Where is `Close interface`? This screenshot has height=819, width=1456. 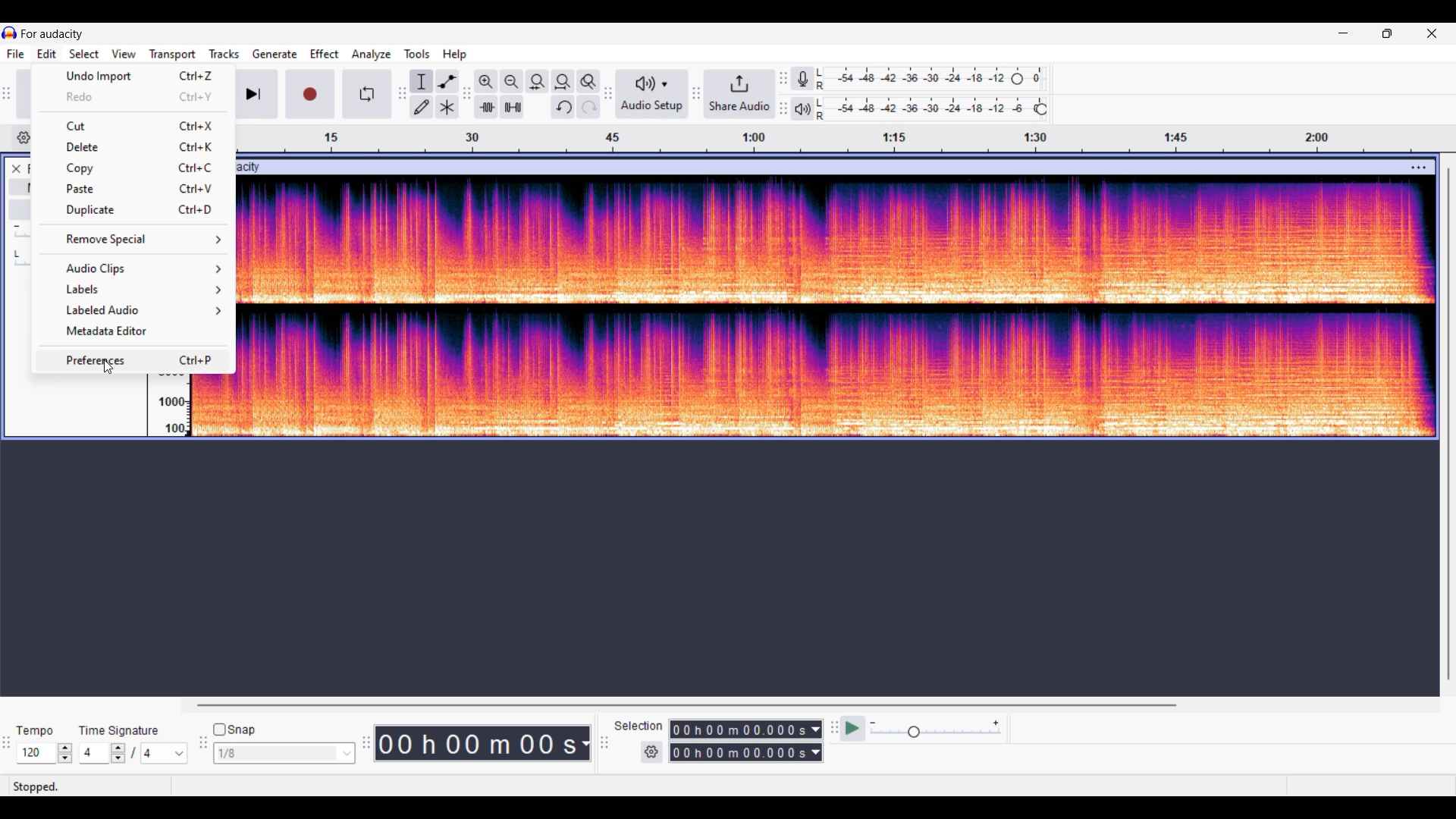
Close interface is located at coordinates (1432, 33).